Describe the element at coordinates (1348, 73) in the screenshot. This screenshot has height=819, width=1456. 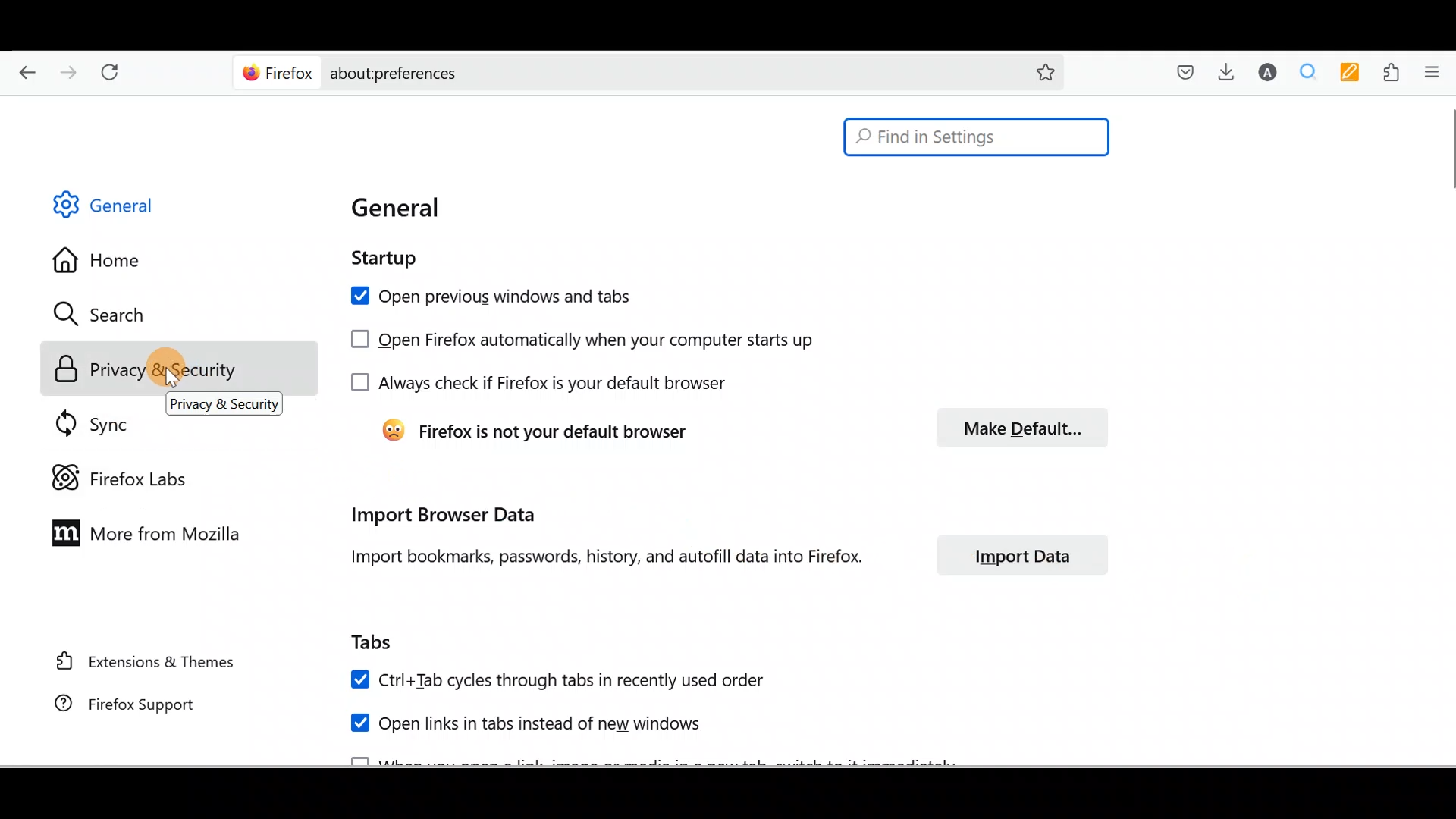
I see `Multi keywords highlighter` at that location.